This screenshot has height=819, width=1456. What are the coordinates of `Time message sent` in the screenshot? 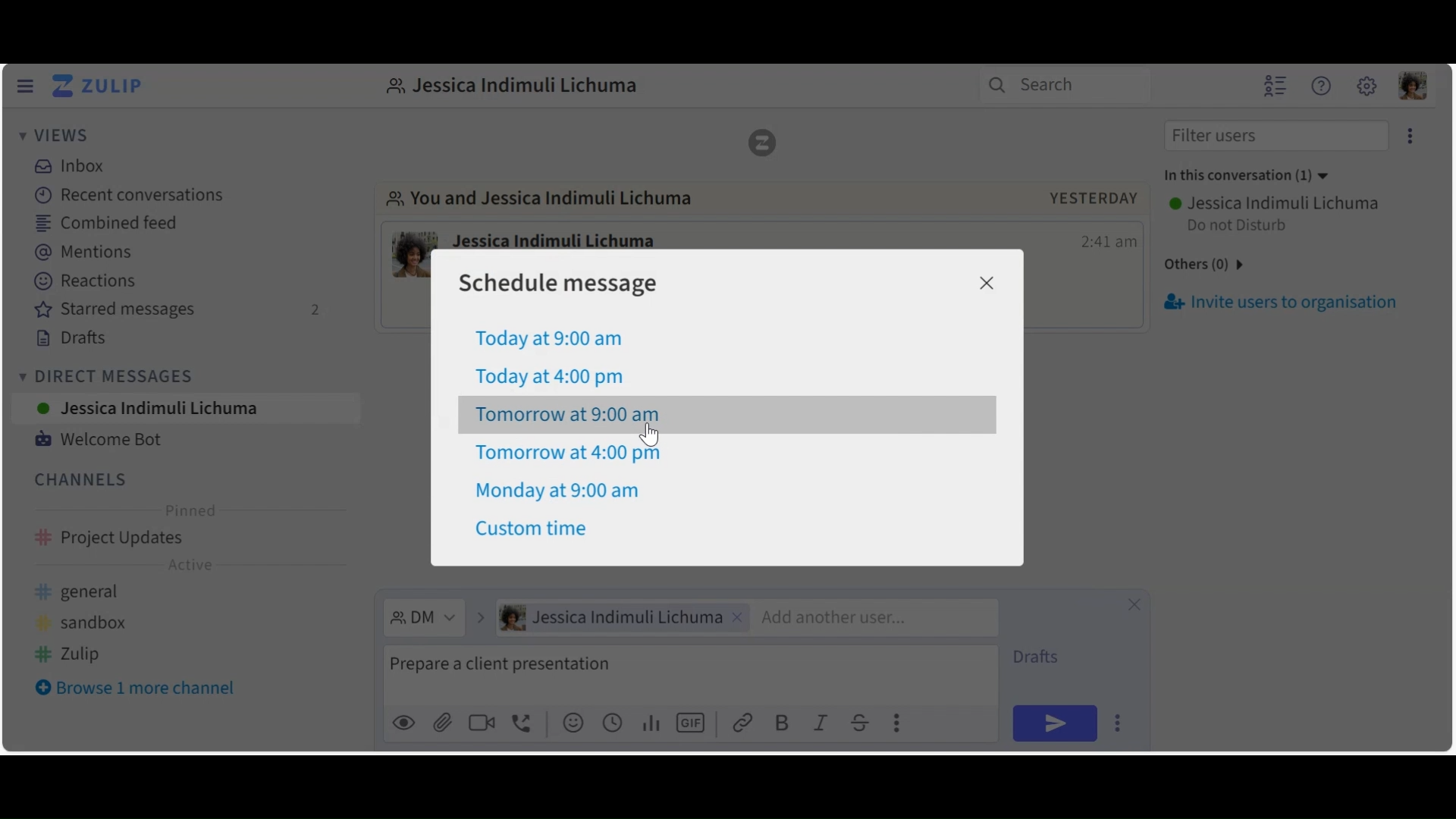 It's located at (1108, 242).